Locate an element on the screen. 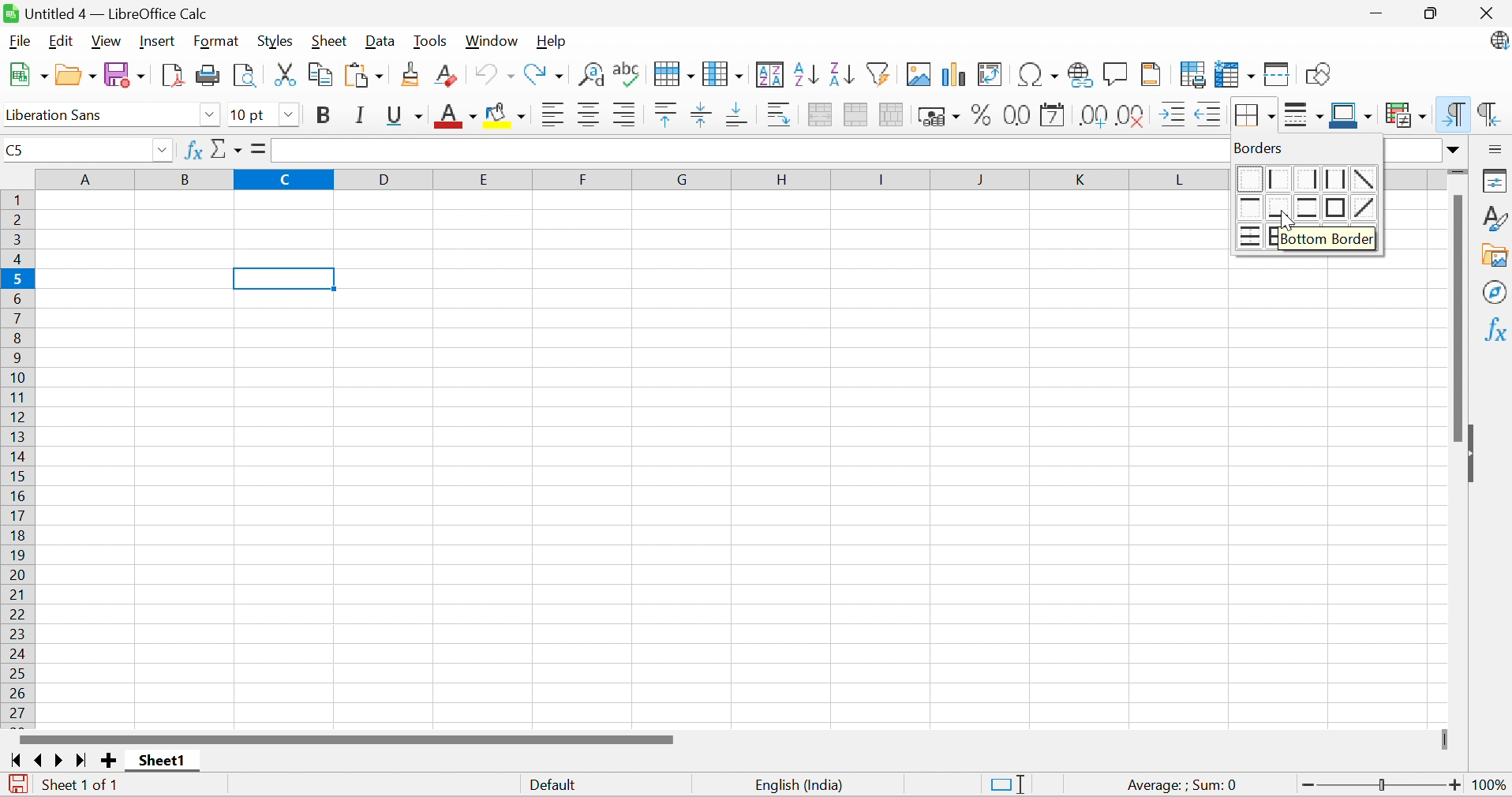  Merge cells is located at coordinates (857, 116).